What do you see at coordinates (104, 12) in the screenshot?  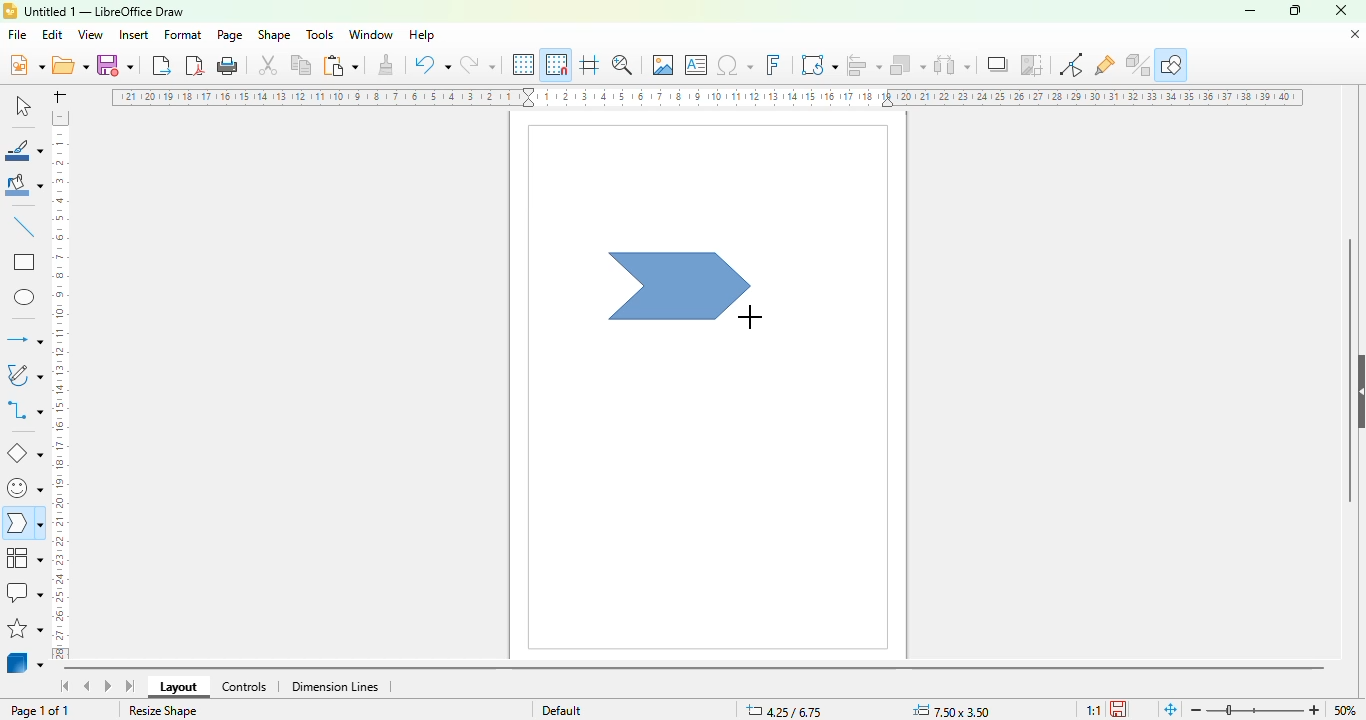 I see `title` at bounding box center [104, 12].